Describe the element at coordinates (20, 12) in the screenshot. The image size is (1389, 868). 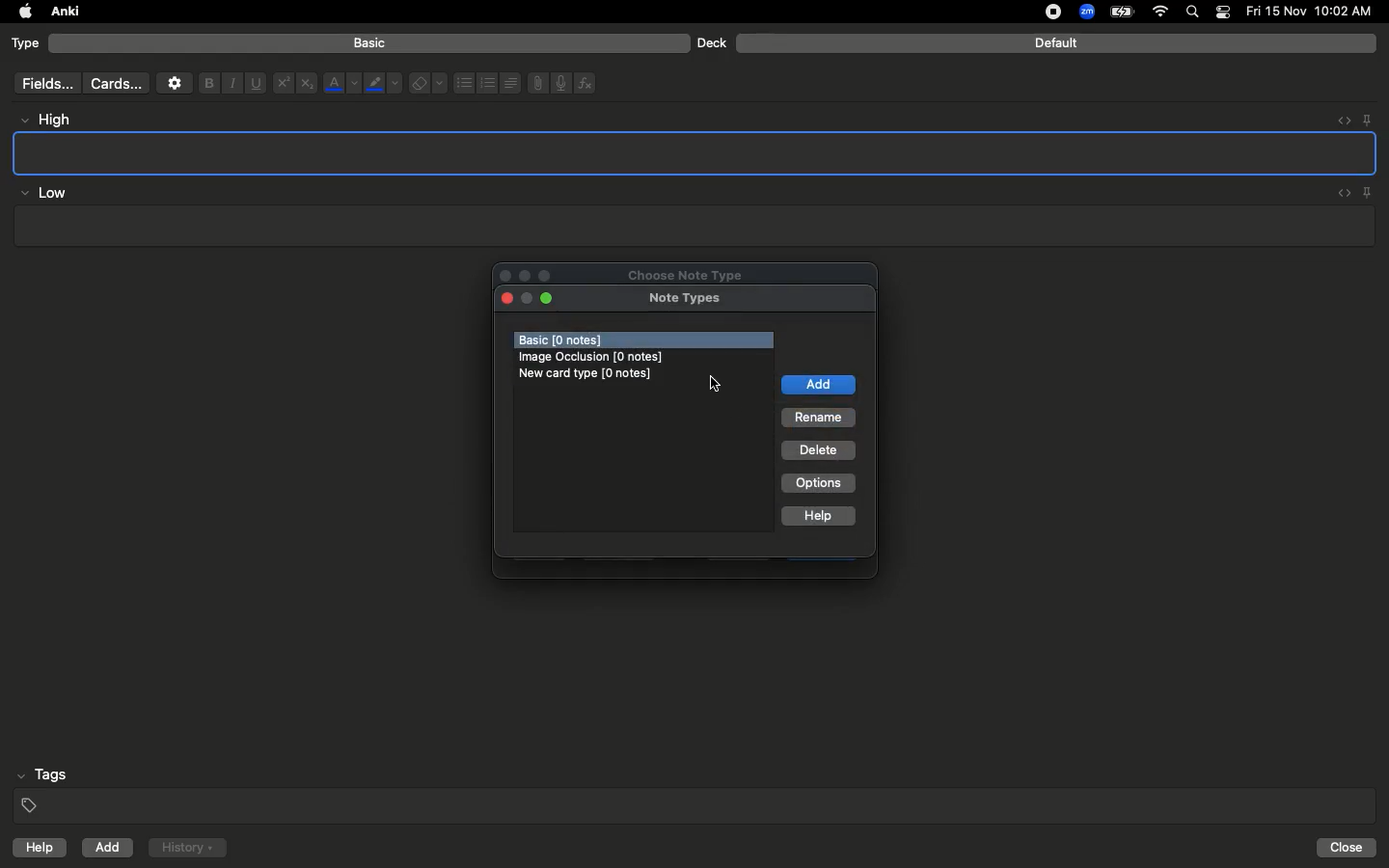
I see `apple logo` at that location.